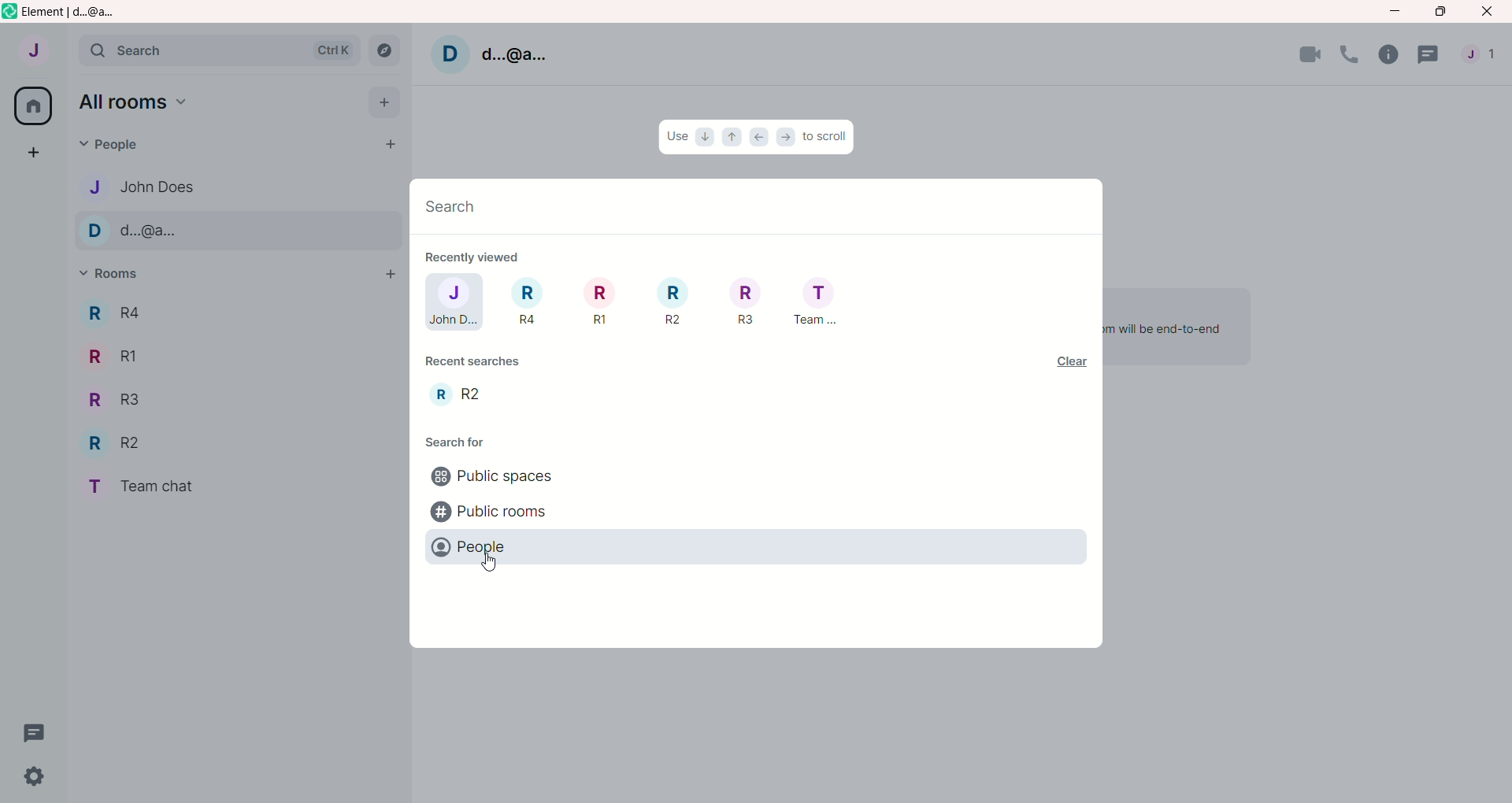 The image size is (1512, 803). I want to click on R2, so click(120, 445).